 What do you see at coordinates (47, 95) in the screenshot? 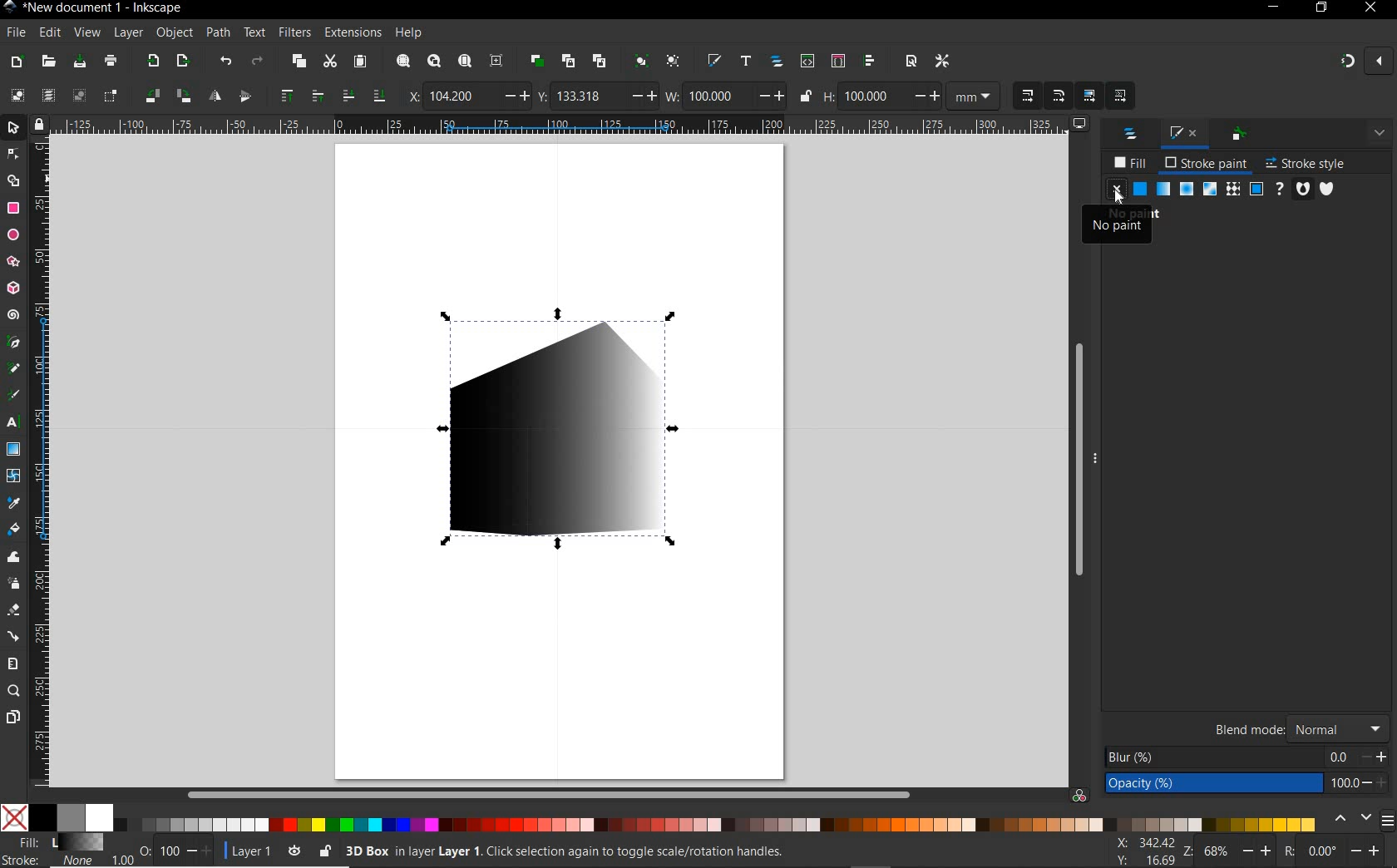
I see `SELECT ALL IN ALL LAYERS` at bounding box center [47, 95].